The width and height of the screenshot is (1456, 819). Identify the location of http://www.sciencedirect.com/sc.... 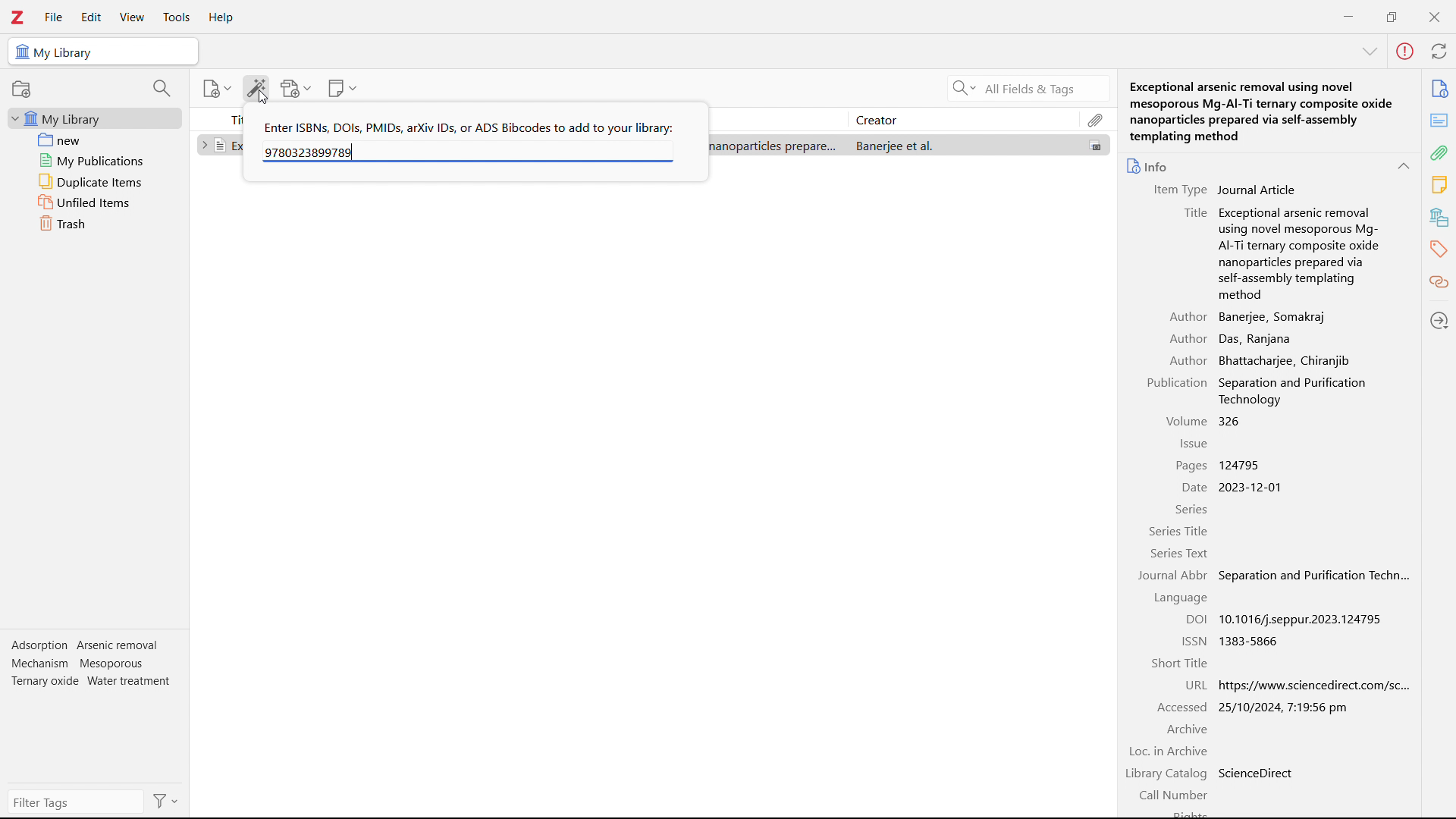
(1326, 685).